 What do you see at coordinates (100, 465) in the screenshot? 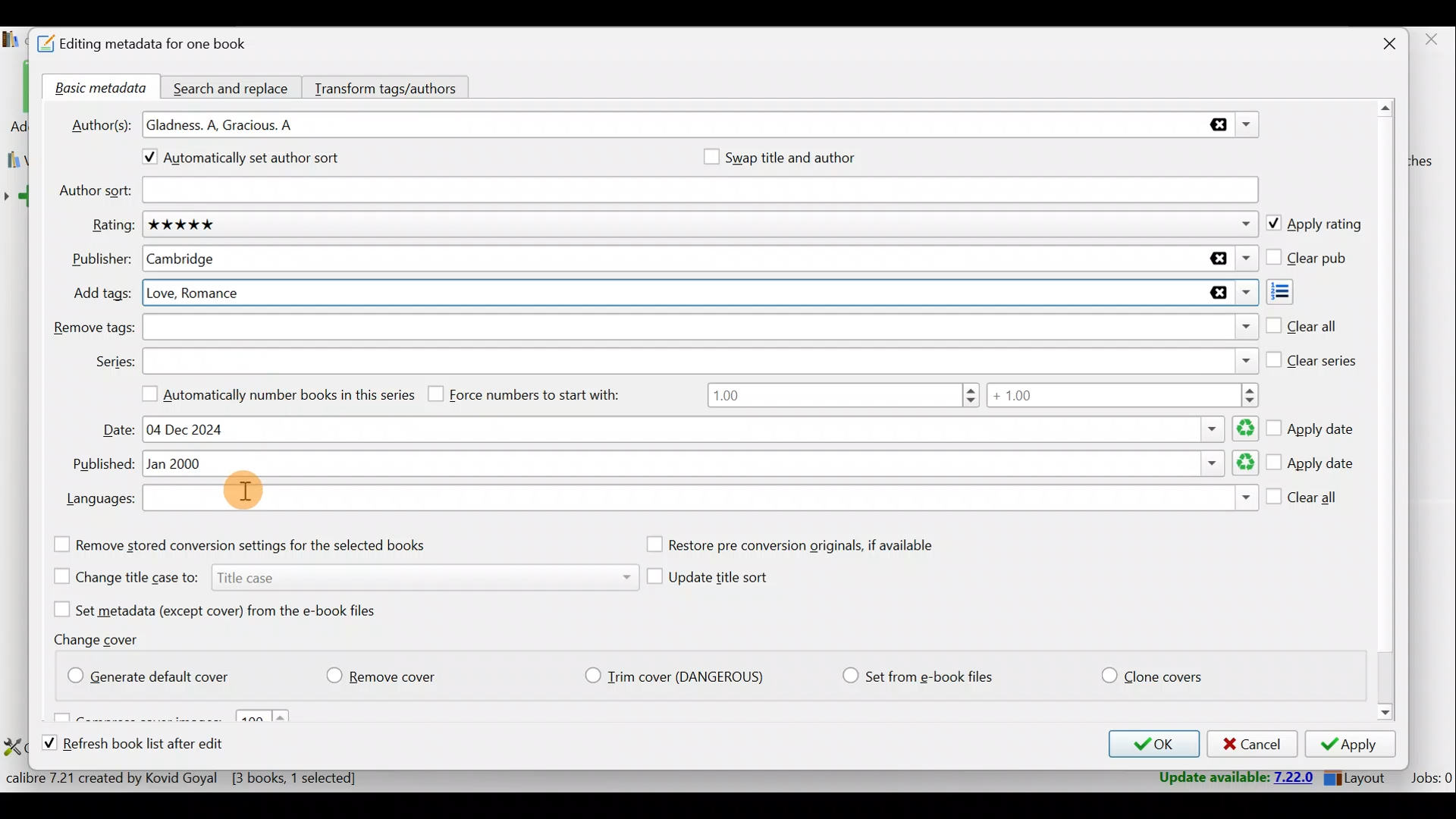
I see `Published:` at bounding box center [100, 465].